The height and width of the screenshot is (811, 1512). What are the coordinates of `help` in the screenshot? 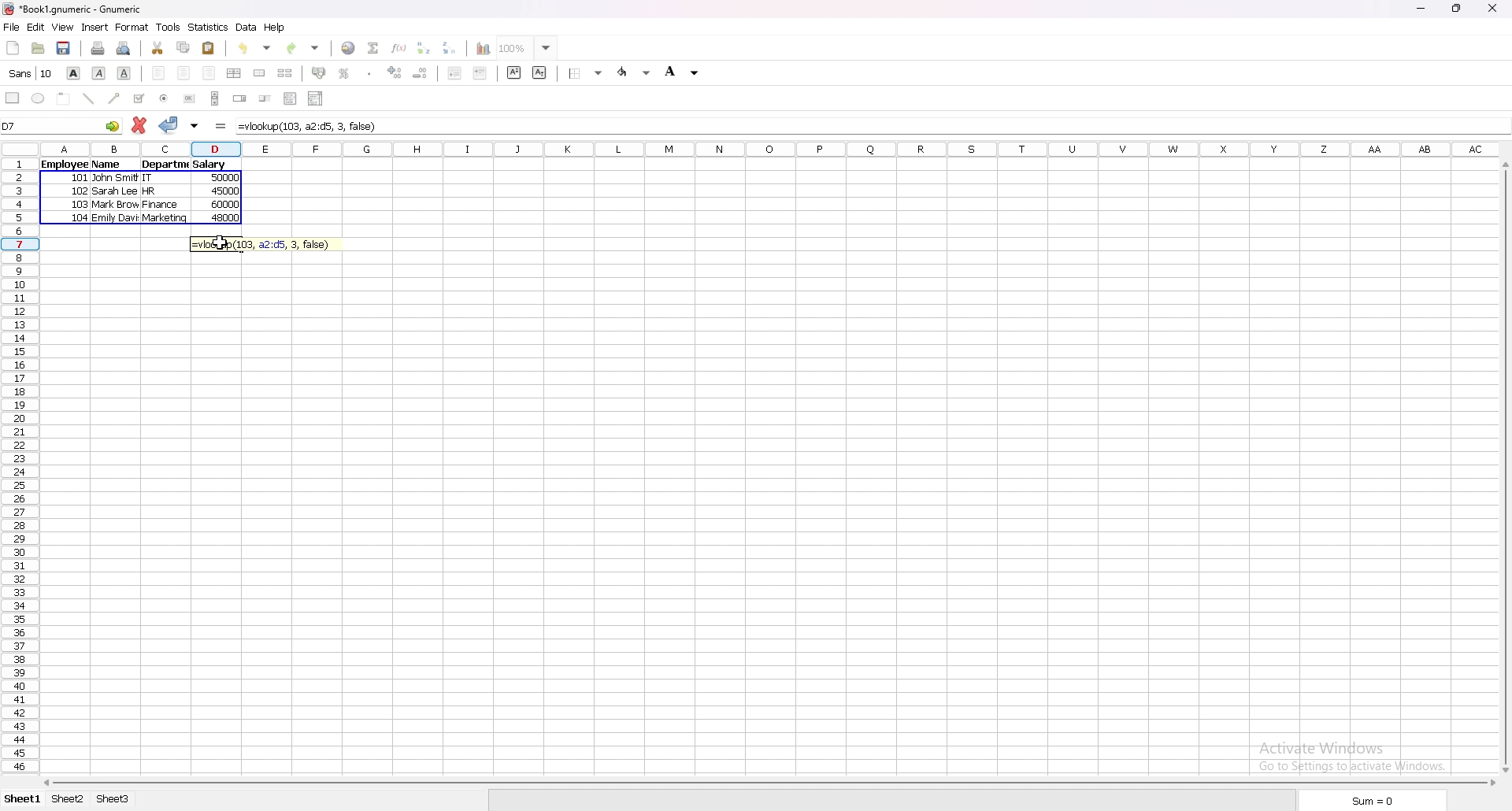 It's located at (275, 28).